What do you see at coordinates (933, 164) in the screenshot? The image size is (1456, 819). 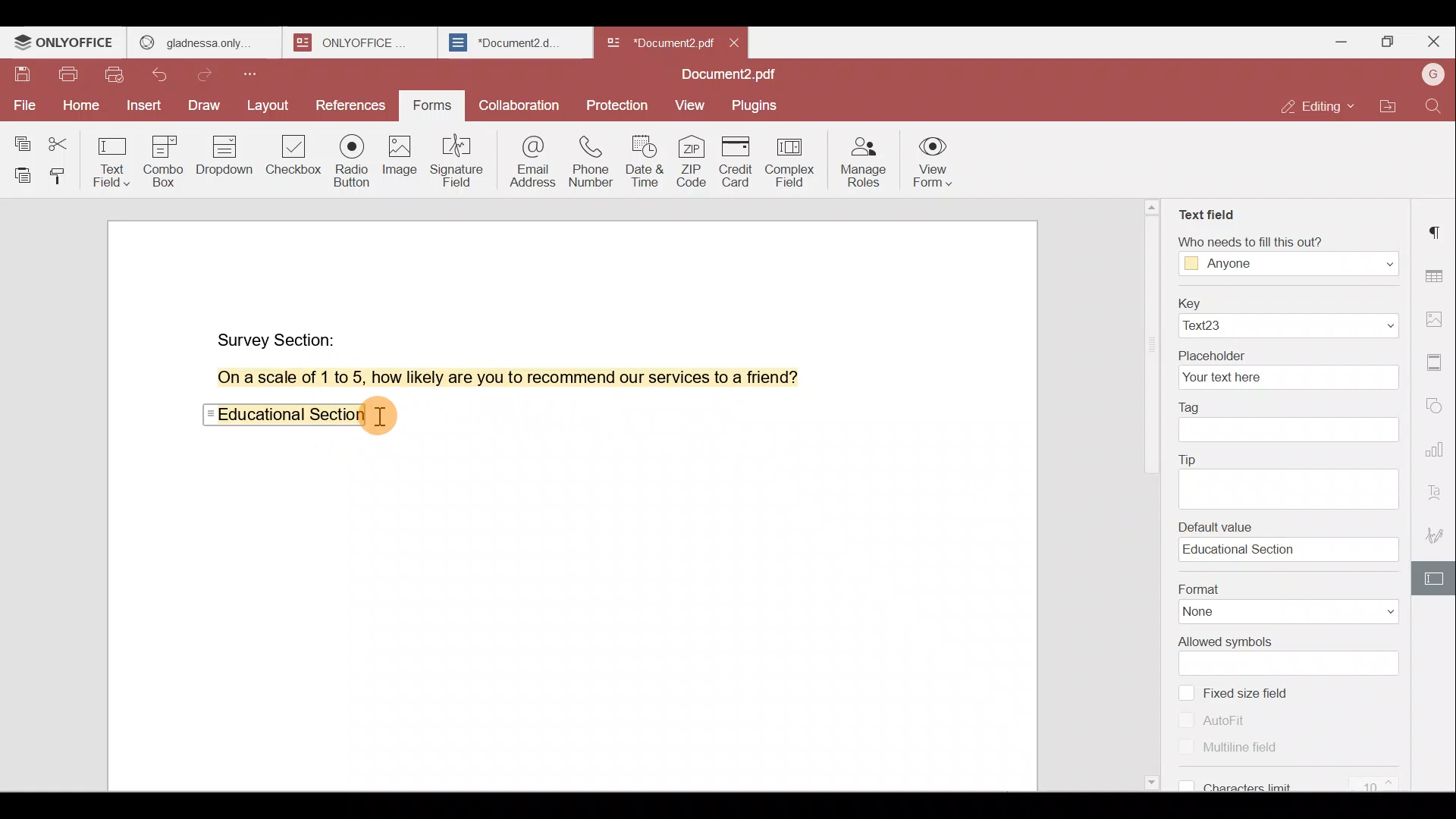 I see `View form` at bounding box center [933, 164].